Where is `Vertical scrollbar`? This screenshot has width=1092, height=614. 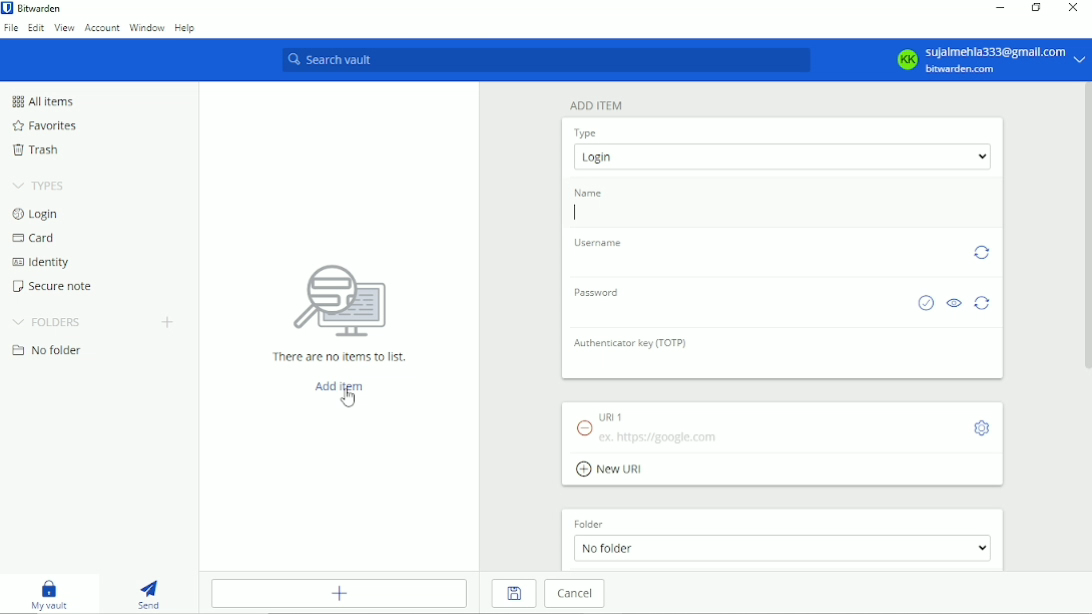 Vertical scrollbar is located at coordinates (1085, 228).